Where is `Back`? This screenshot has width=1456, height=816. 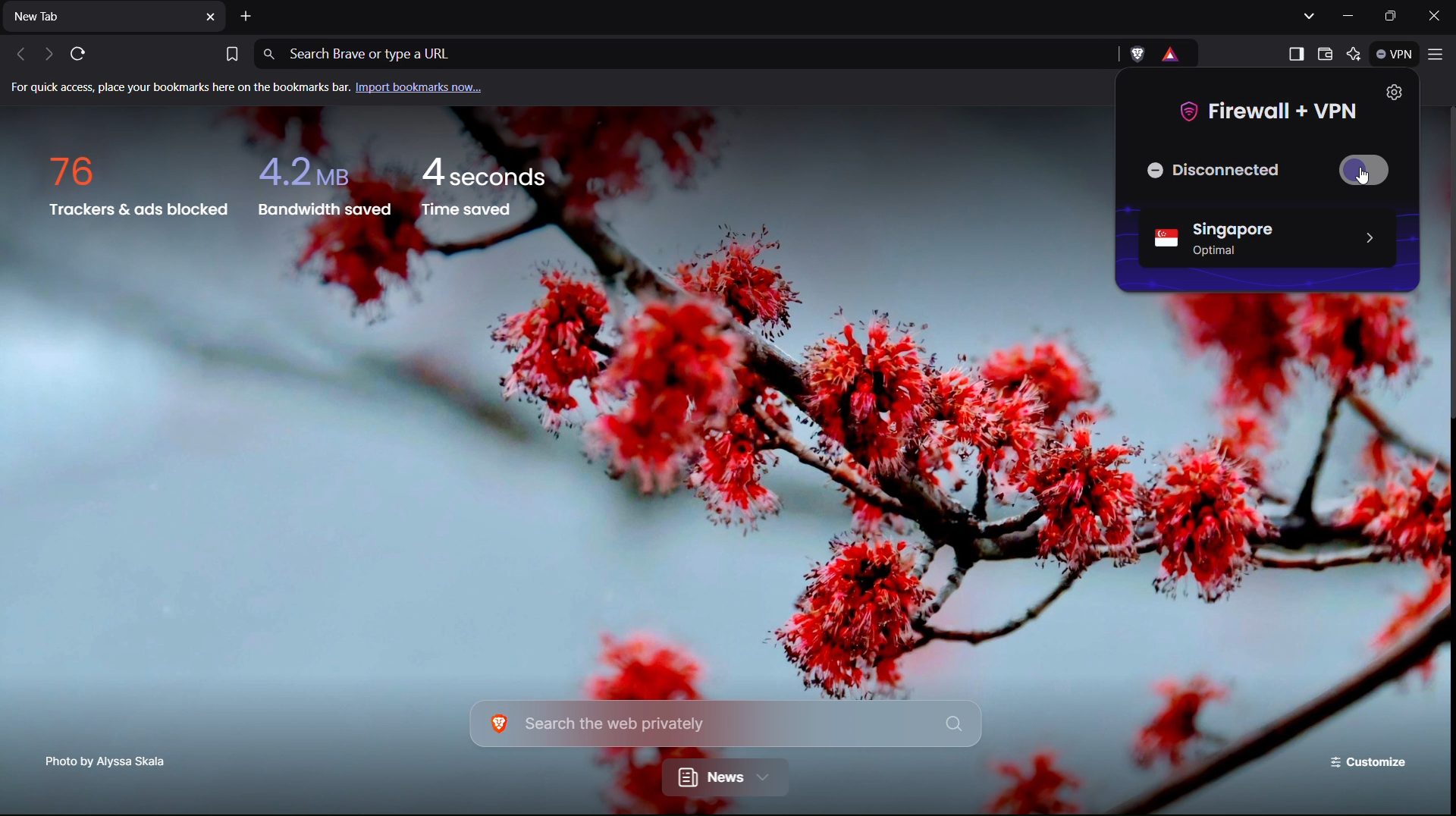
Back is located at coordinates (17, 55).